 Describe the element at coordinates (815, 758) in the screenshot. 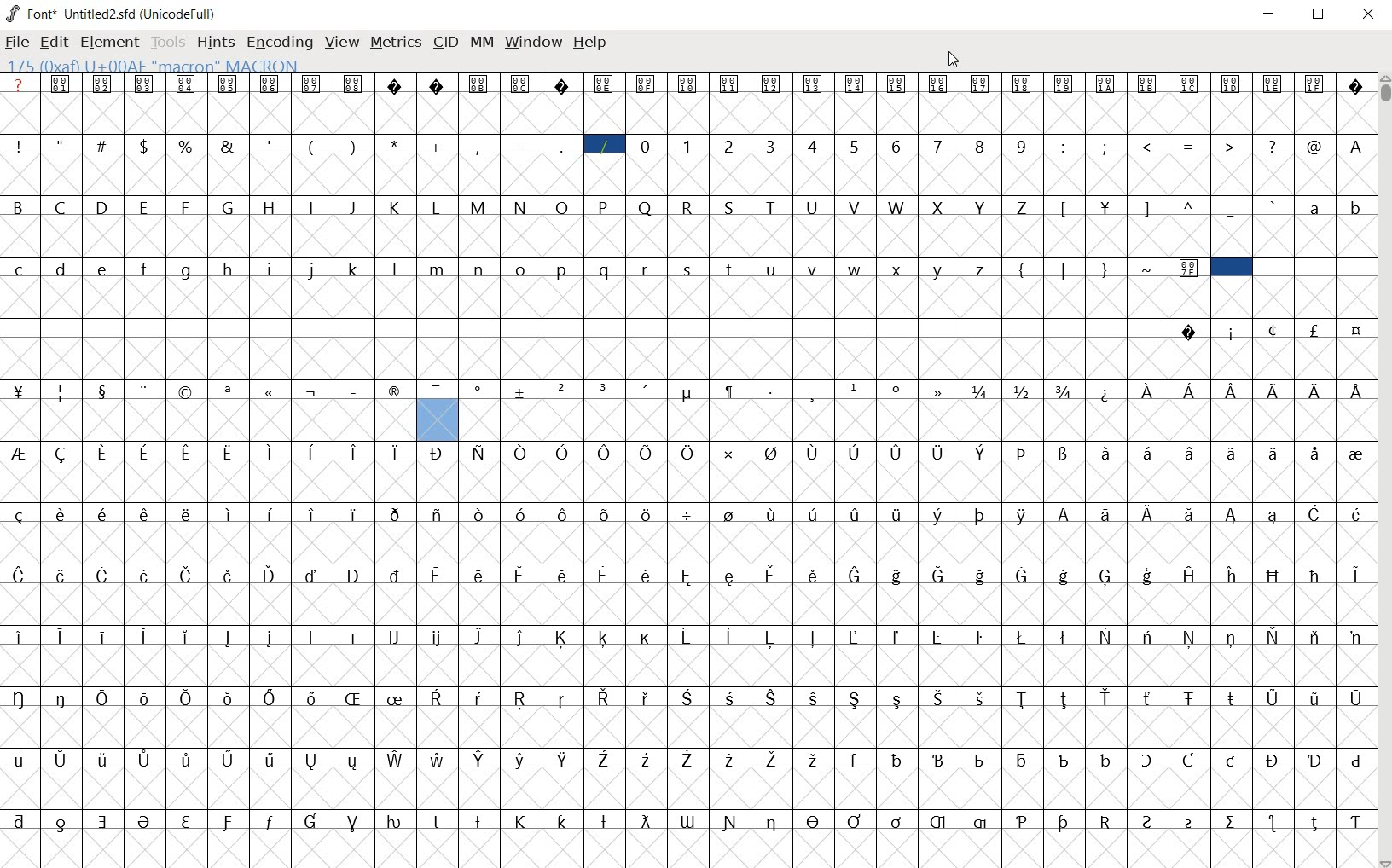

I see `Symbol` at that location.